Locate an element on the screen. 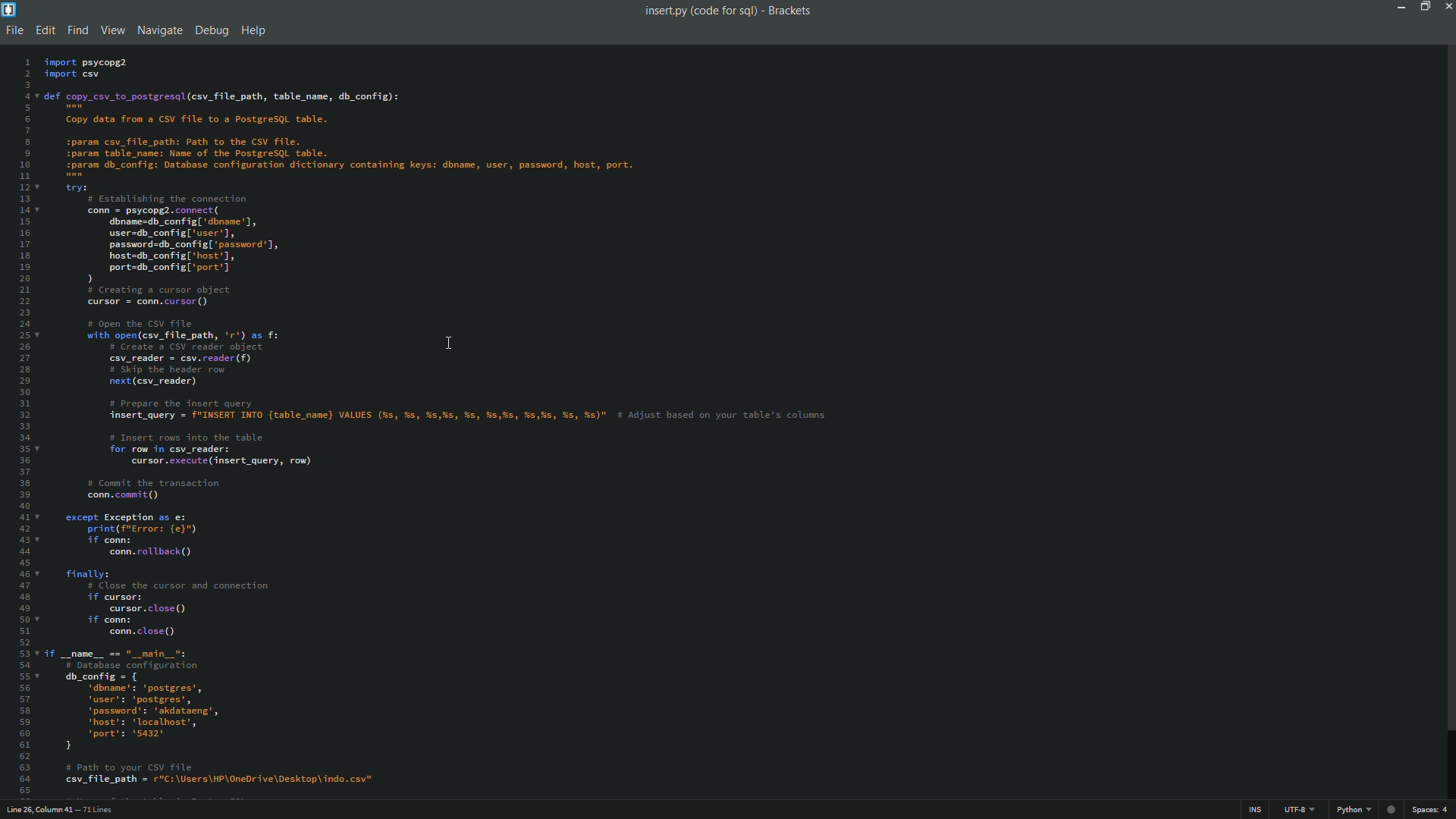 The height and width of the screenshot is (819, 1456). view menu is located at coordinates (110, 30).